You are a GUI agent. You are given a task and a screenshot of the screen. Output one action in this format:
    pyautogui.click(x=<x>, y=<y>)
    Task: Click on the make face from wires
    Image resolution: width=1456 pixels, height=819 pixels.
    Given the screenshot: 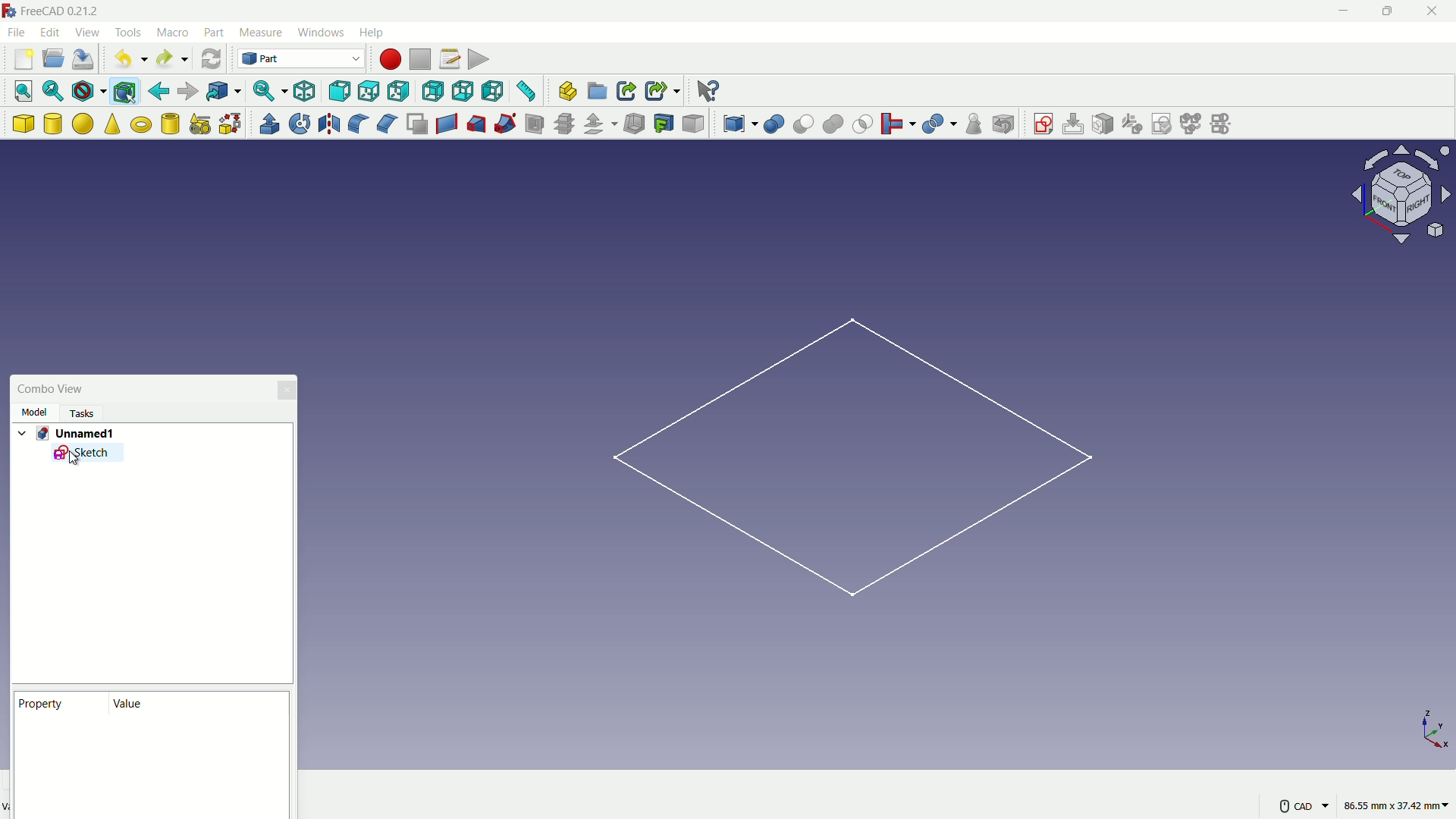 What is the action you would take?
    pyautogui.click(x=418, y=124)
    